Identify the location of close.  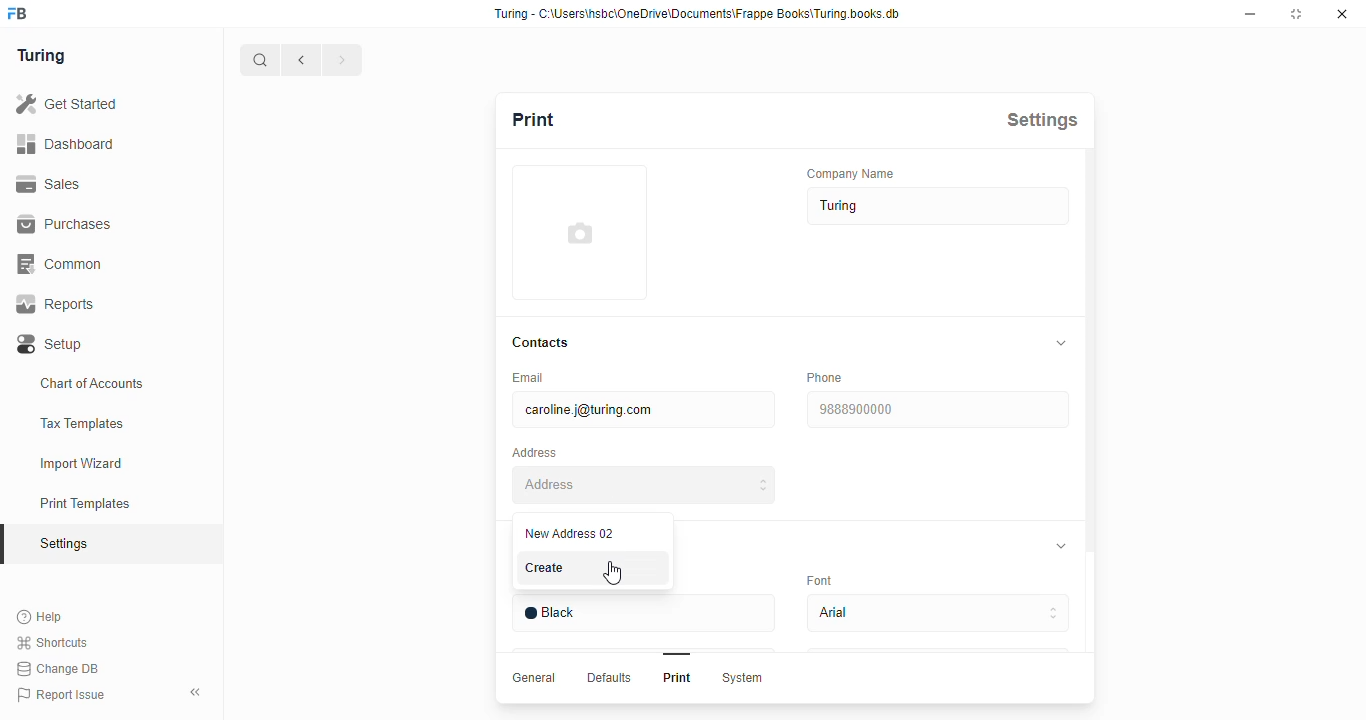
(1342, 14).